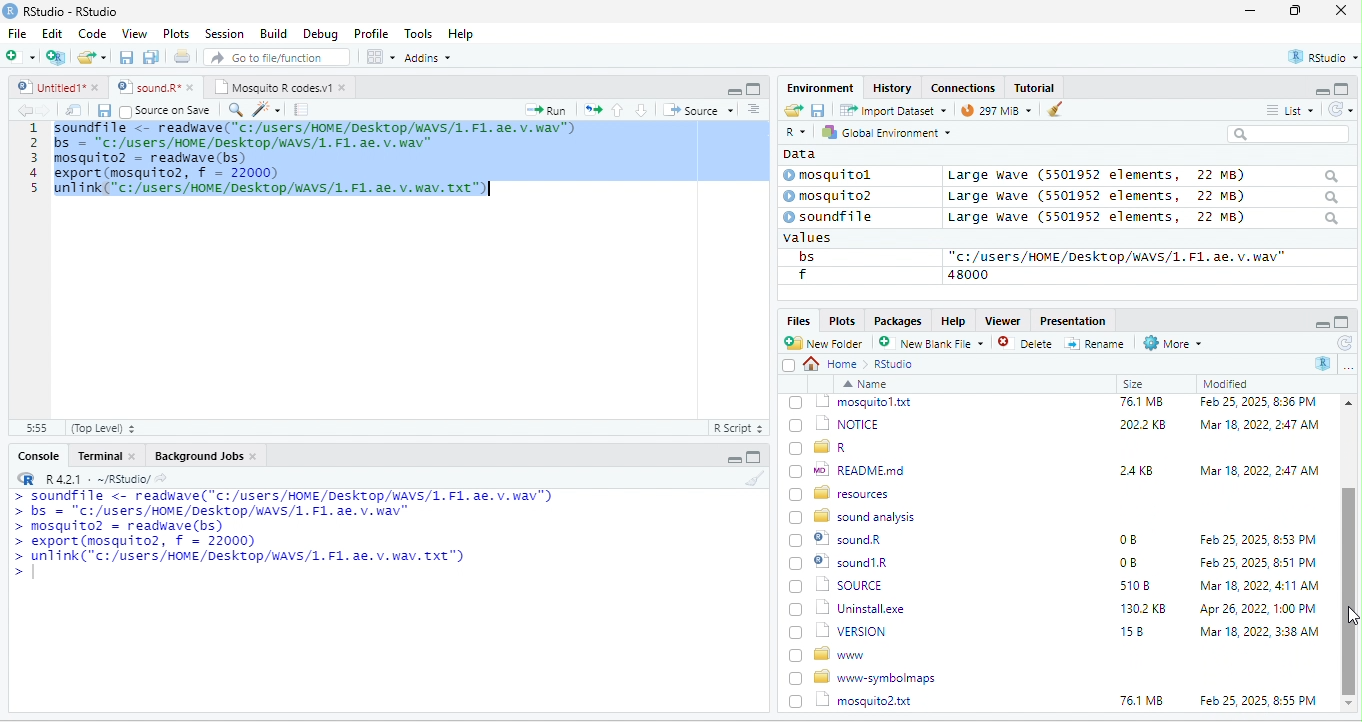 This screenshot has height=722, width=1362. Describe the element at coordinates (1142, 175) in the screenshot. I see `Large wave (5501952 elements, 22 MB)` at that location.